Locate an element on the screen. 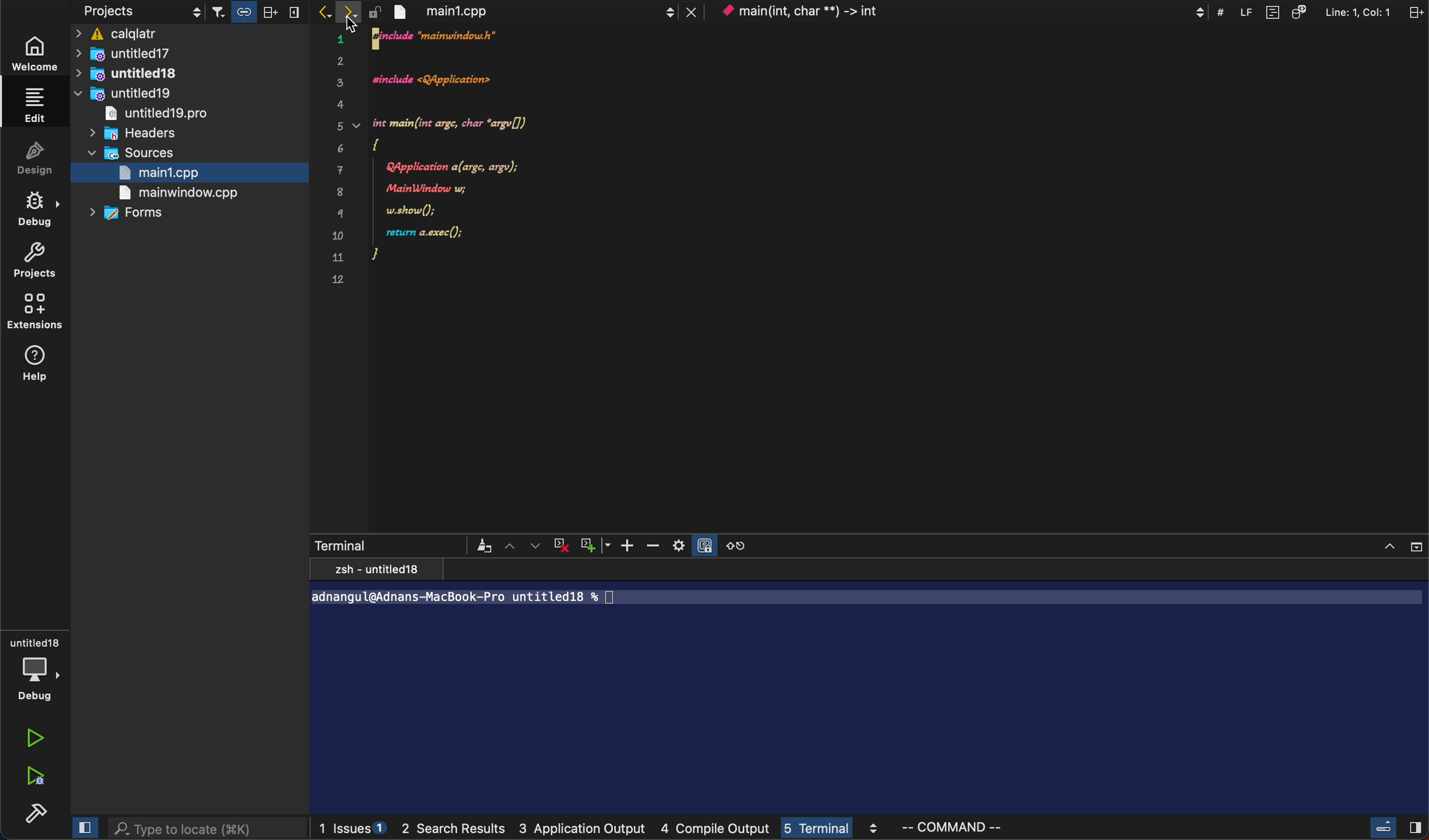  run debug is located at coordinates (35, 774).